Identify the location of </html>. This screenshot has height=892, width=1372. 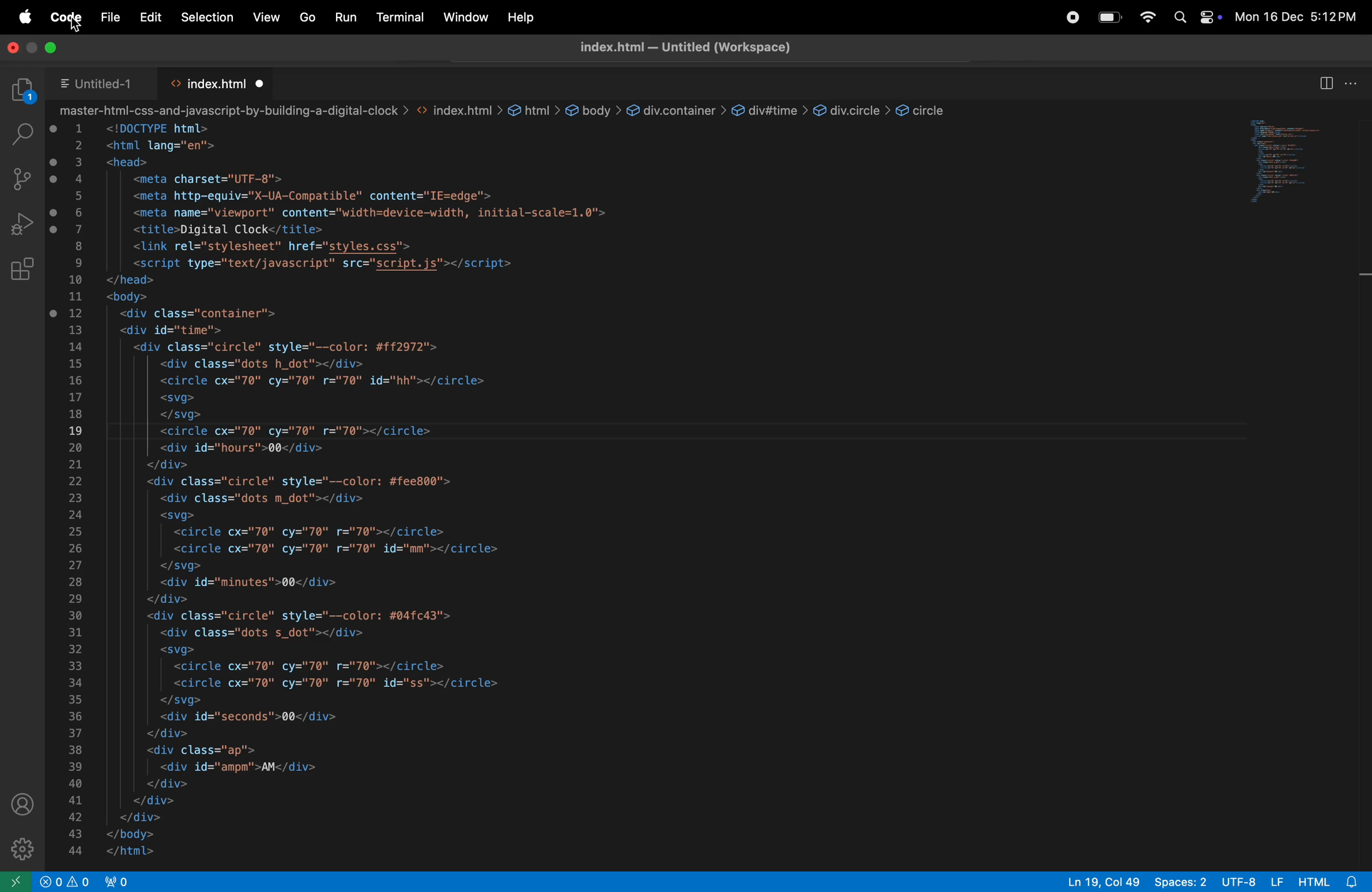
(137, 852).